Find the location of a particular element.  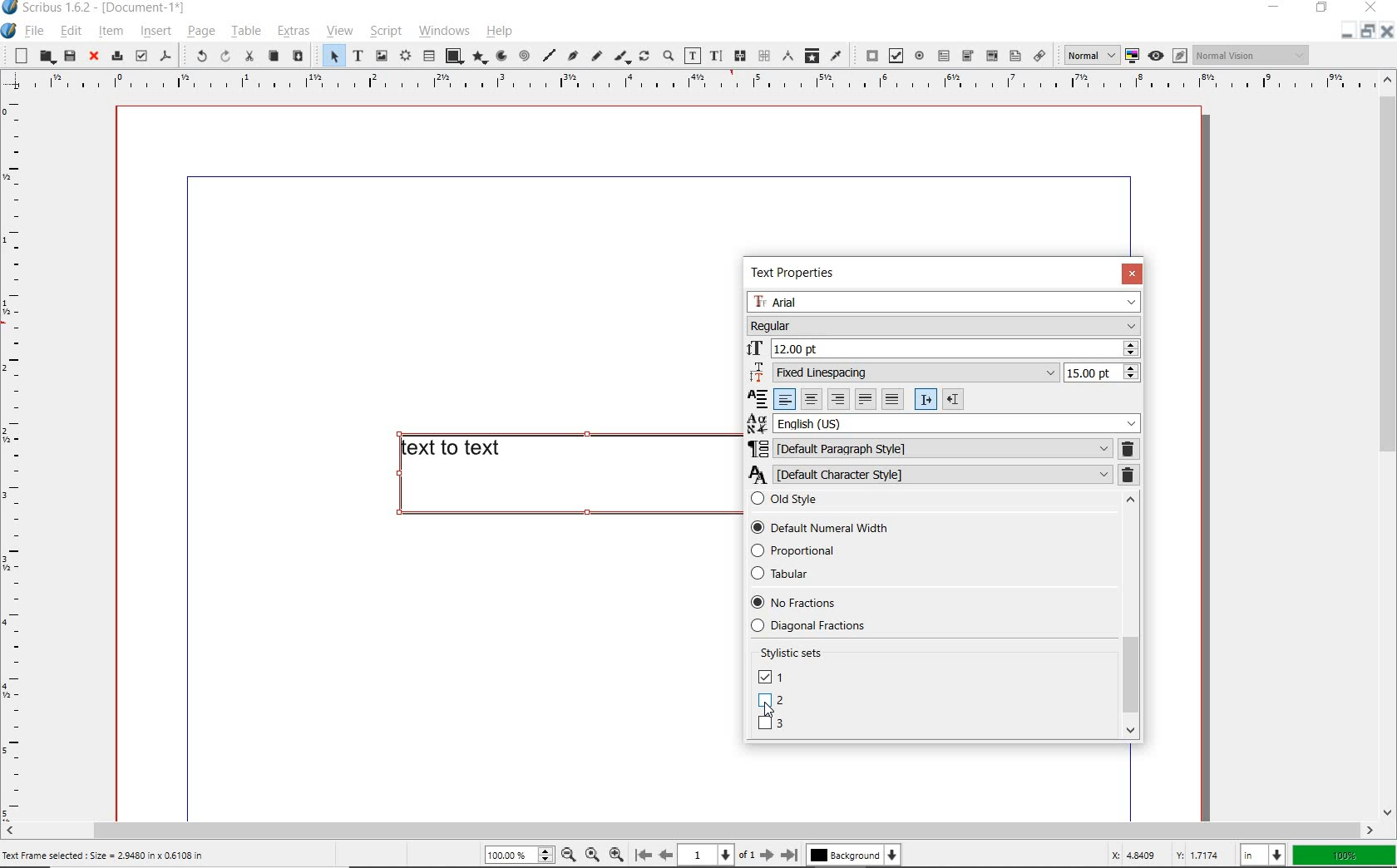

normal is located at coordinates (1088, 55).